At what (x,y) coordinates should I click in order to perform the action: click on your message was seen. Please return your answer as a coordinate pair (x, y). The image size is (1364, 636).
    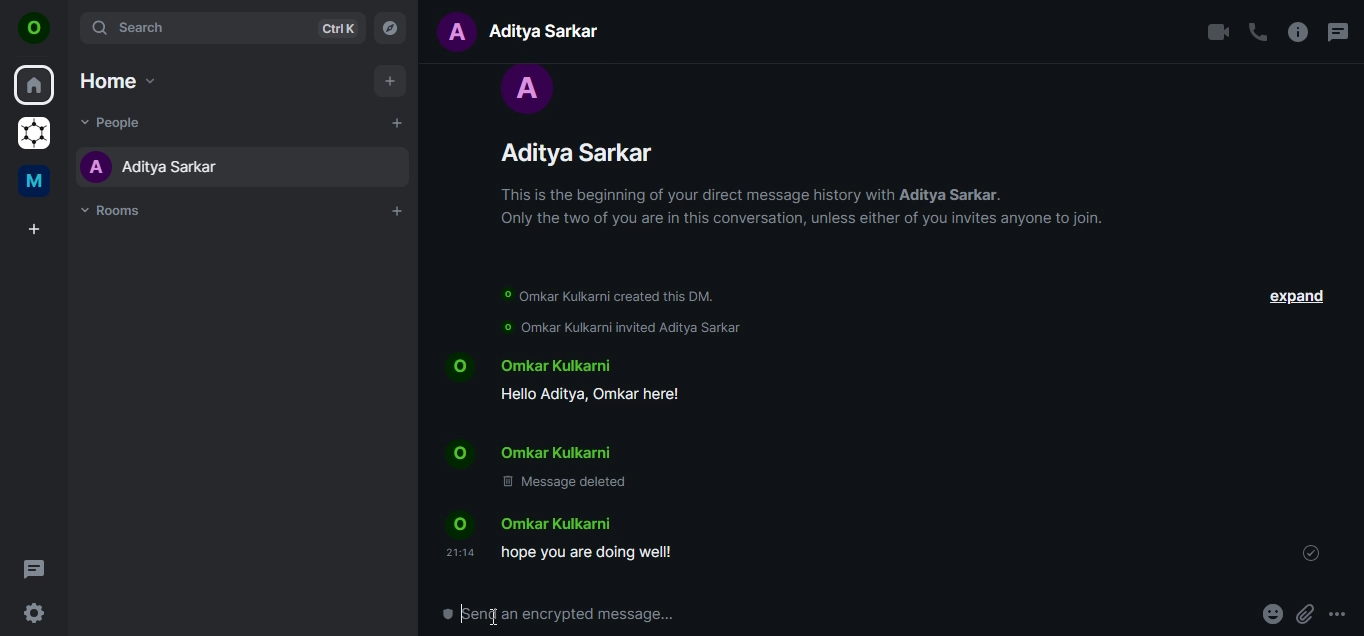
    Looking at the image, I should click on (1310, 551).